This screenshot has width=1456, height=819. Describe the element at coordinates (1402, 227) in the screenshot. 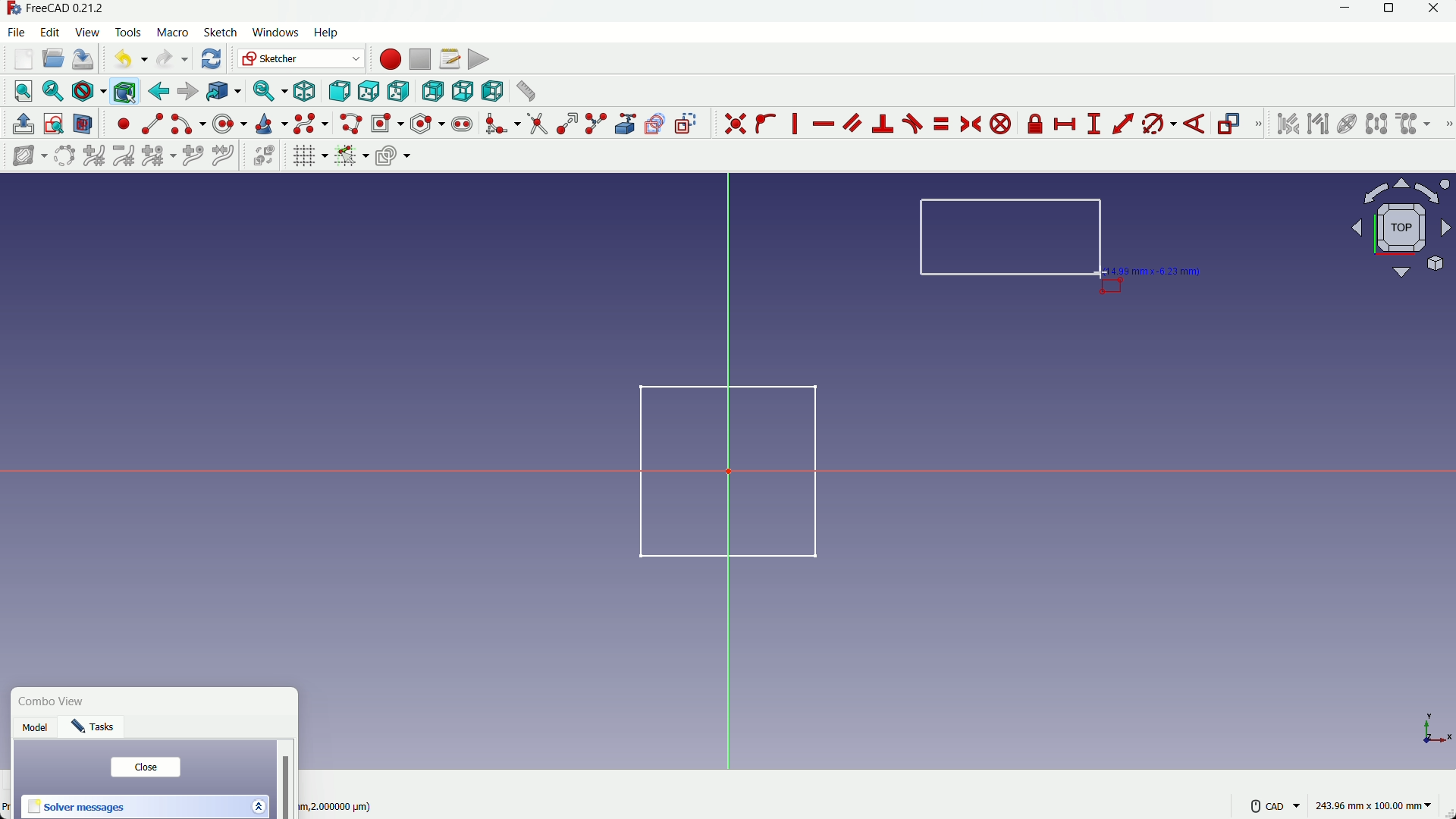

I see `rotate or change view` at that location.